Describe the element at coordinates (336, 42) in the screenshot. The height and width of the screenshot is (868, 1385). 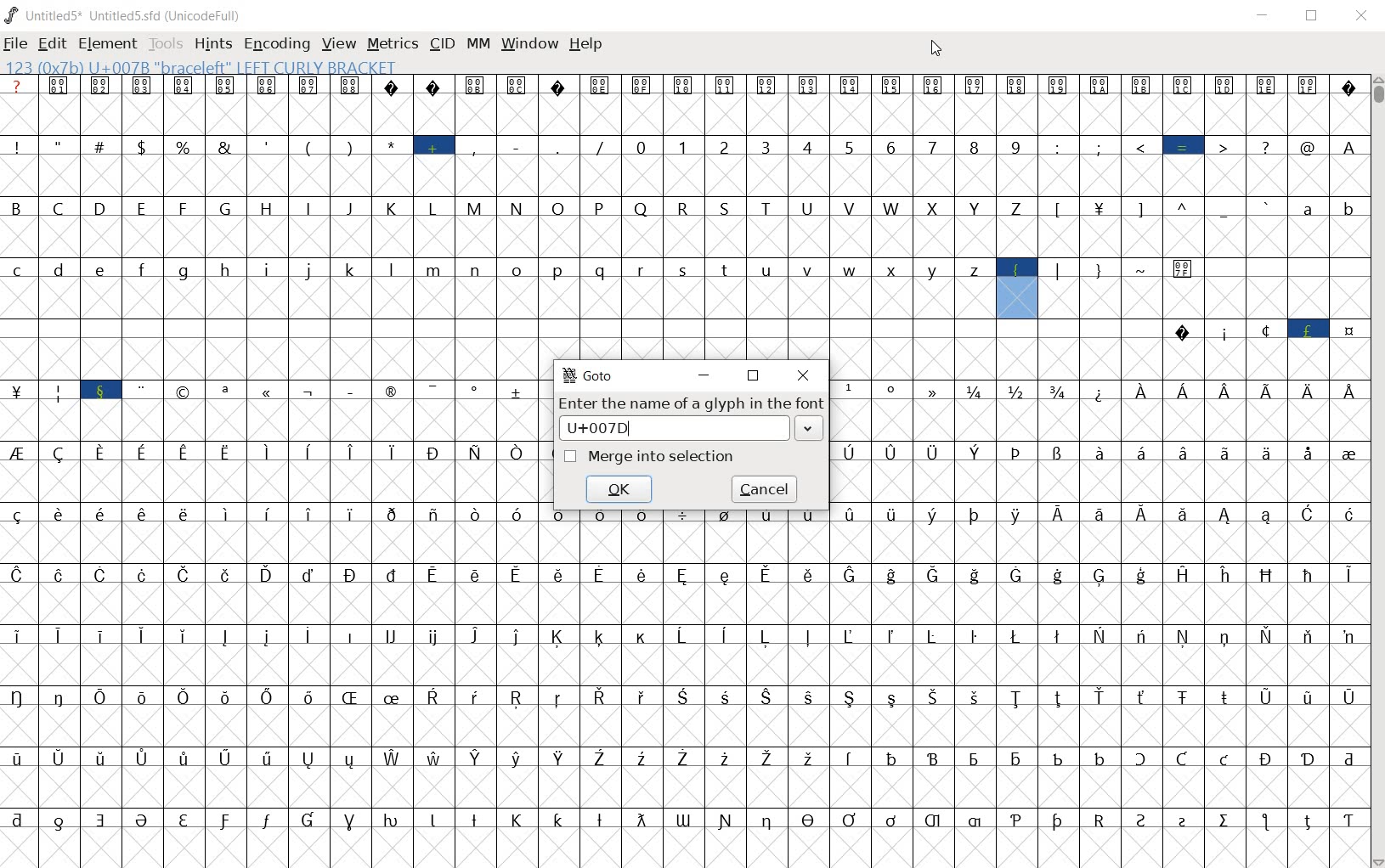
I see `VIEW` at that location.